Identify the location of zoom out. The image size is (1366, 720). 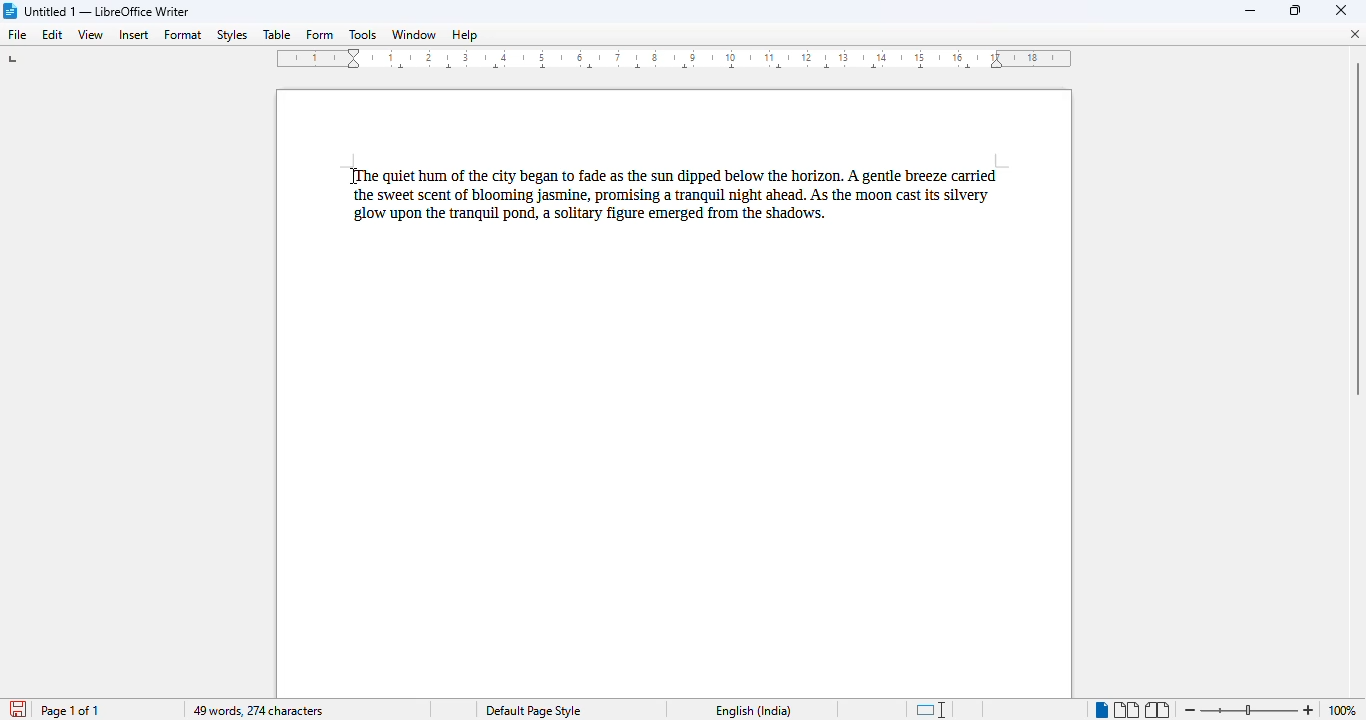
(1192, 710).